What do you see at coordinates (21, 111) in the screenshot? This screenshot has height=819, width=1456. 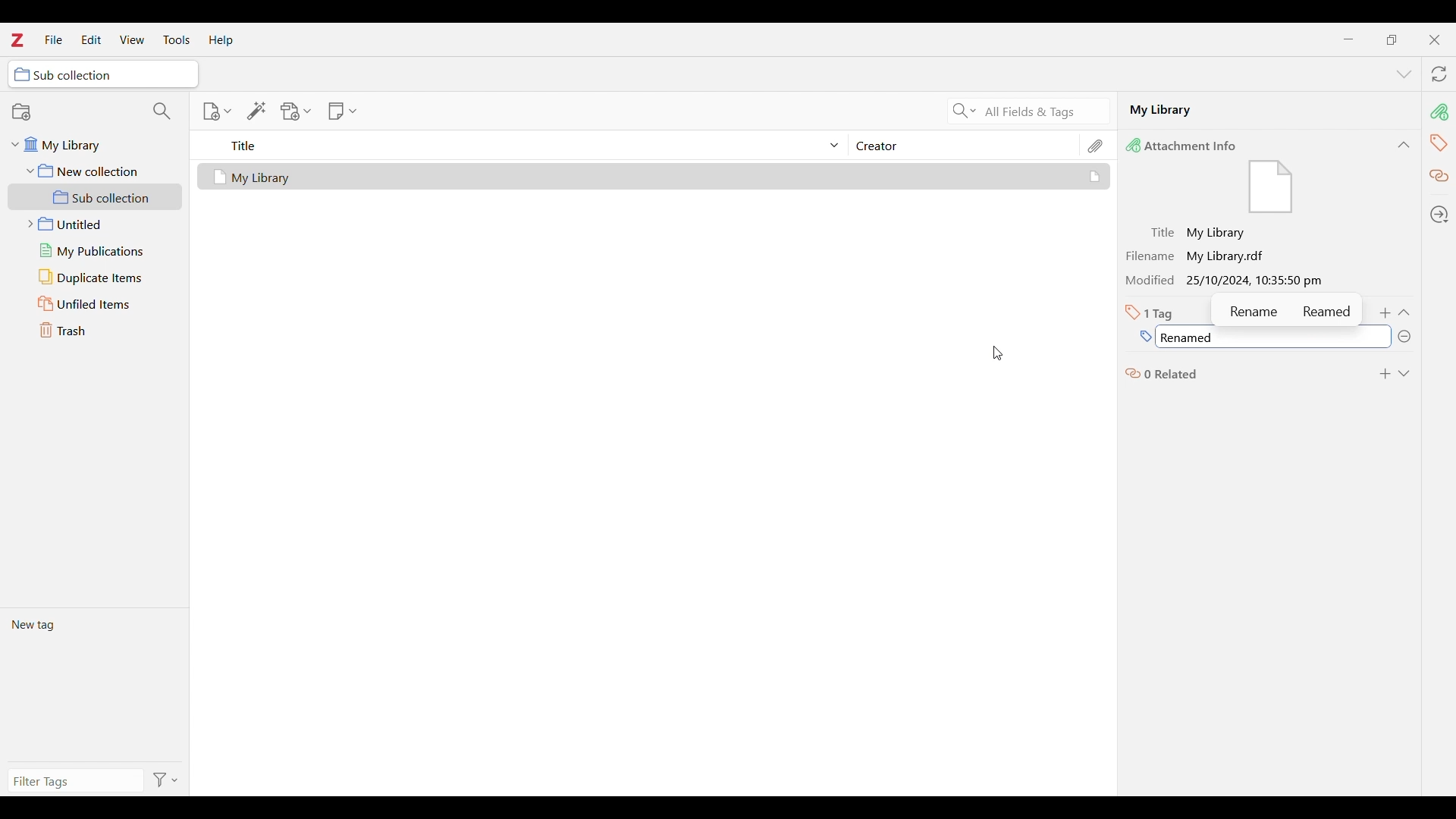 I see `New collection` at bounding box center [21, 111].